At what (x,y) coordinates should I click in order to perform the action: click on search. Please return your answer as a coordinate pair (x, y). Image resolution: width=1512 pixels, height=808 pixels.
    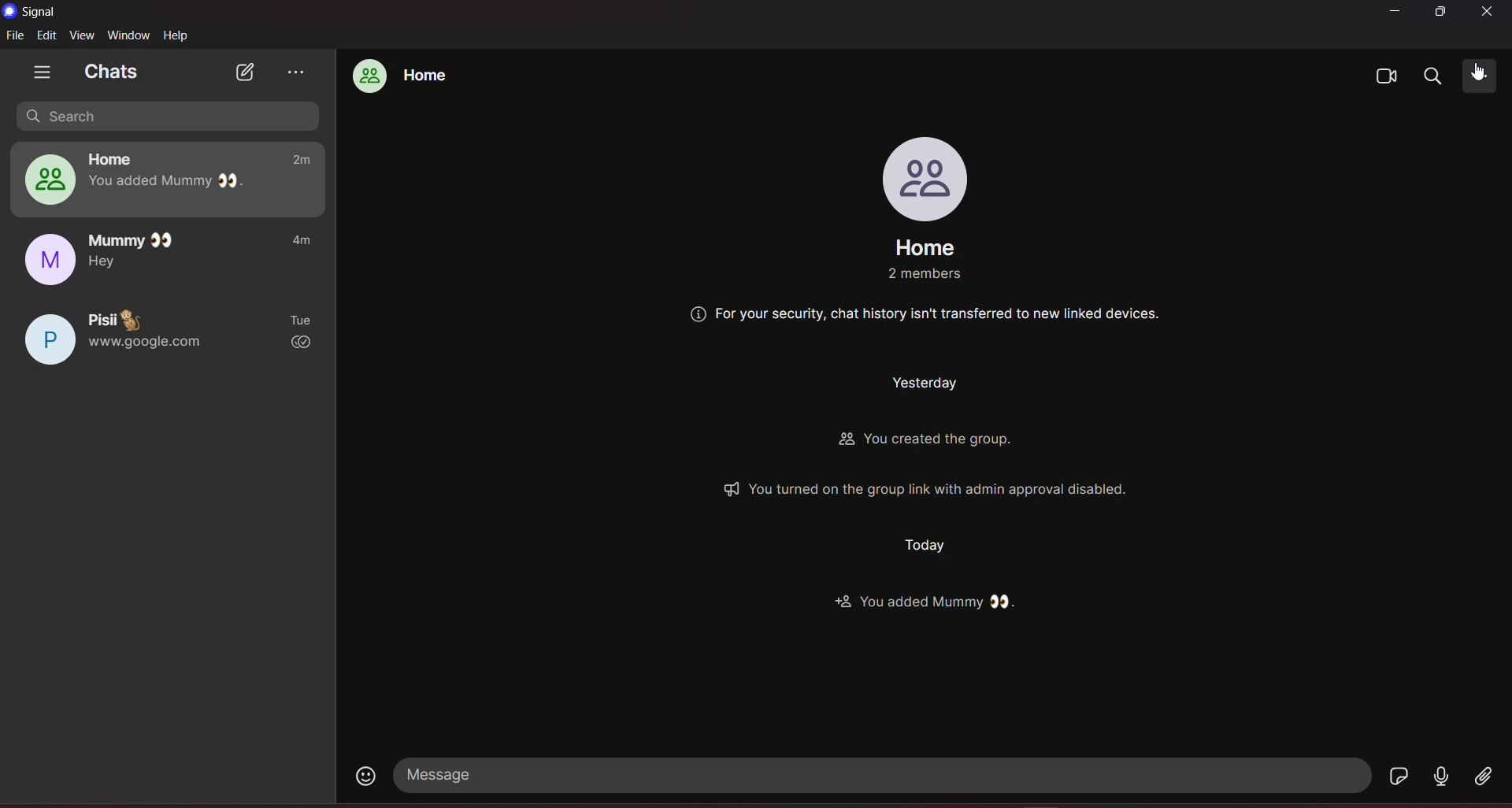
    Looking at the image, I should click on (169, 115).